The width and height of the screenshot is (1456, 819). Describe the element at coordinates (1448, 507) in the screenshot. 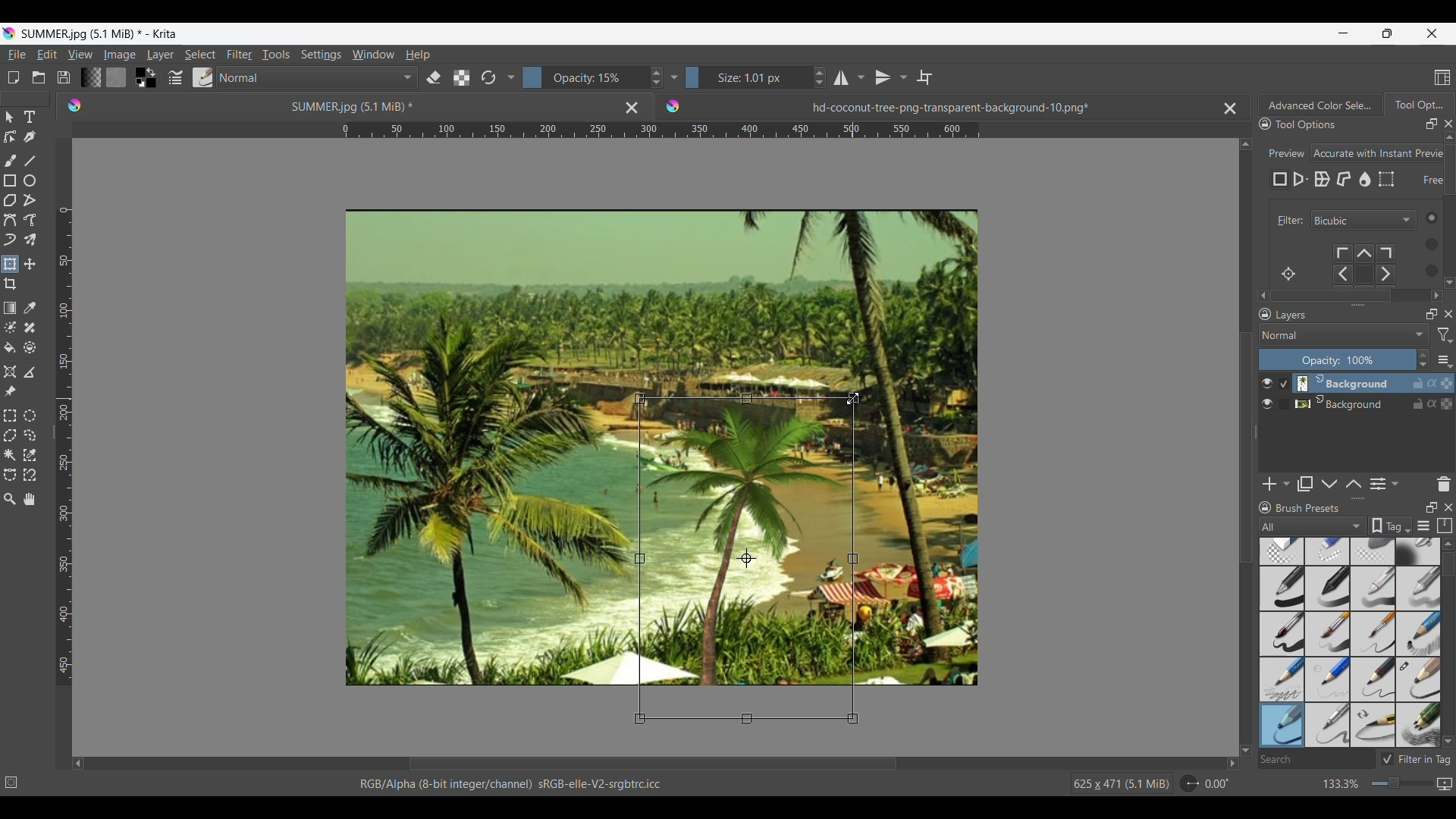

I see `Close brush presets panel` at that location.